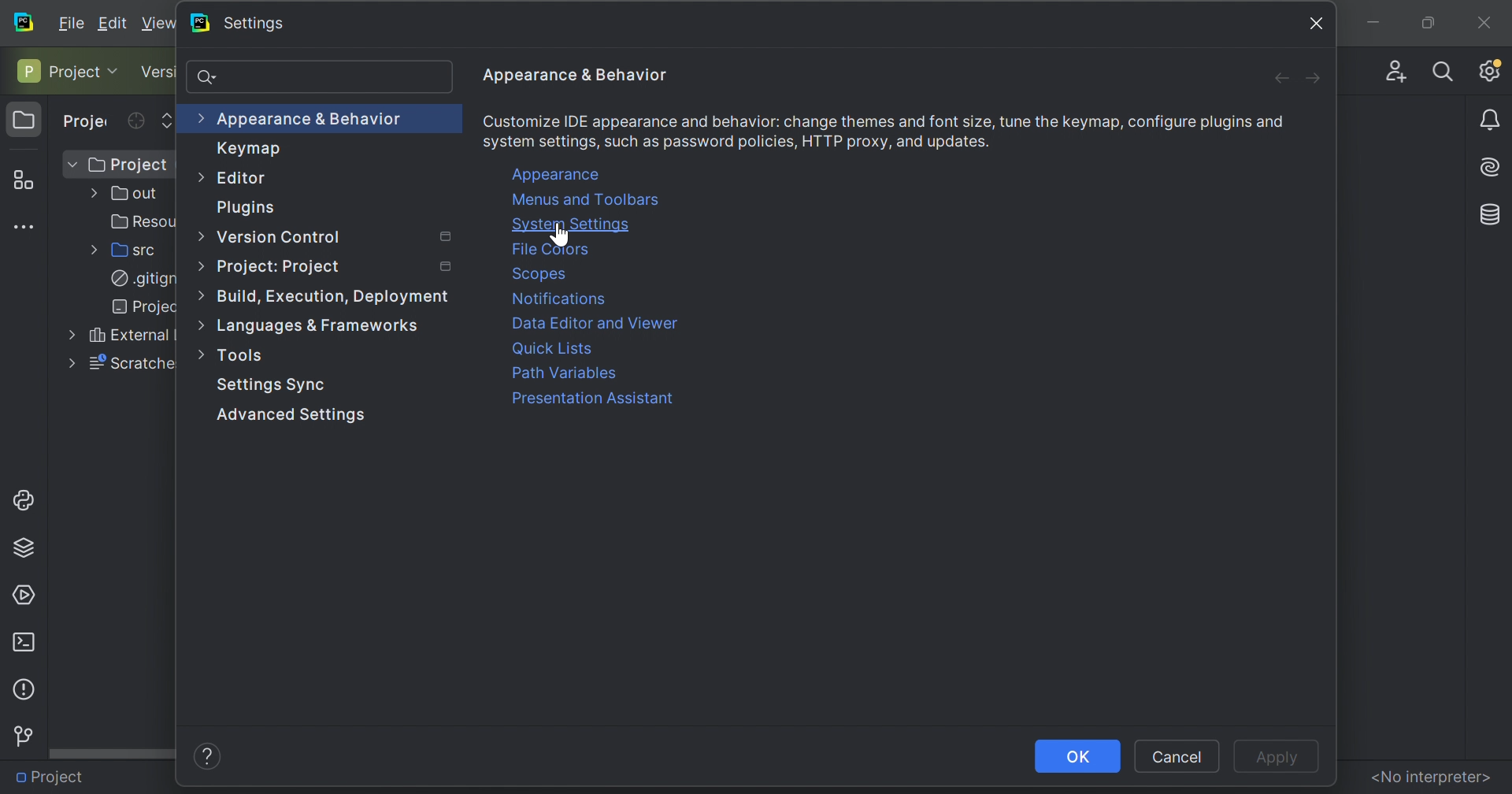  What do you see at coordinates (1392, 67) in the screenshot?
I see `Code with me` at bounding box center [1392, 67].